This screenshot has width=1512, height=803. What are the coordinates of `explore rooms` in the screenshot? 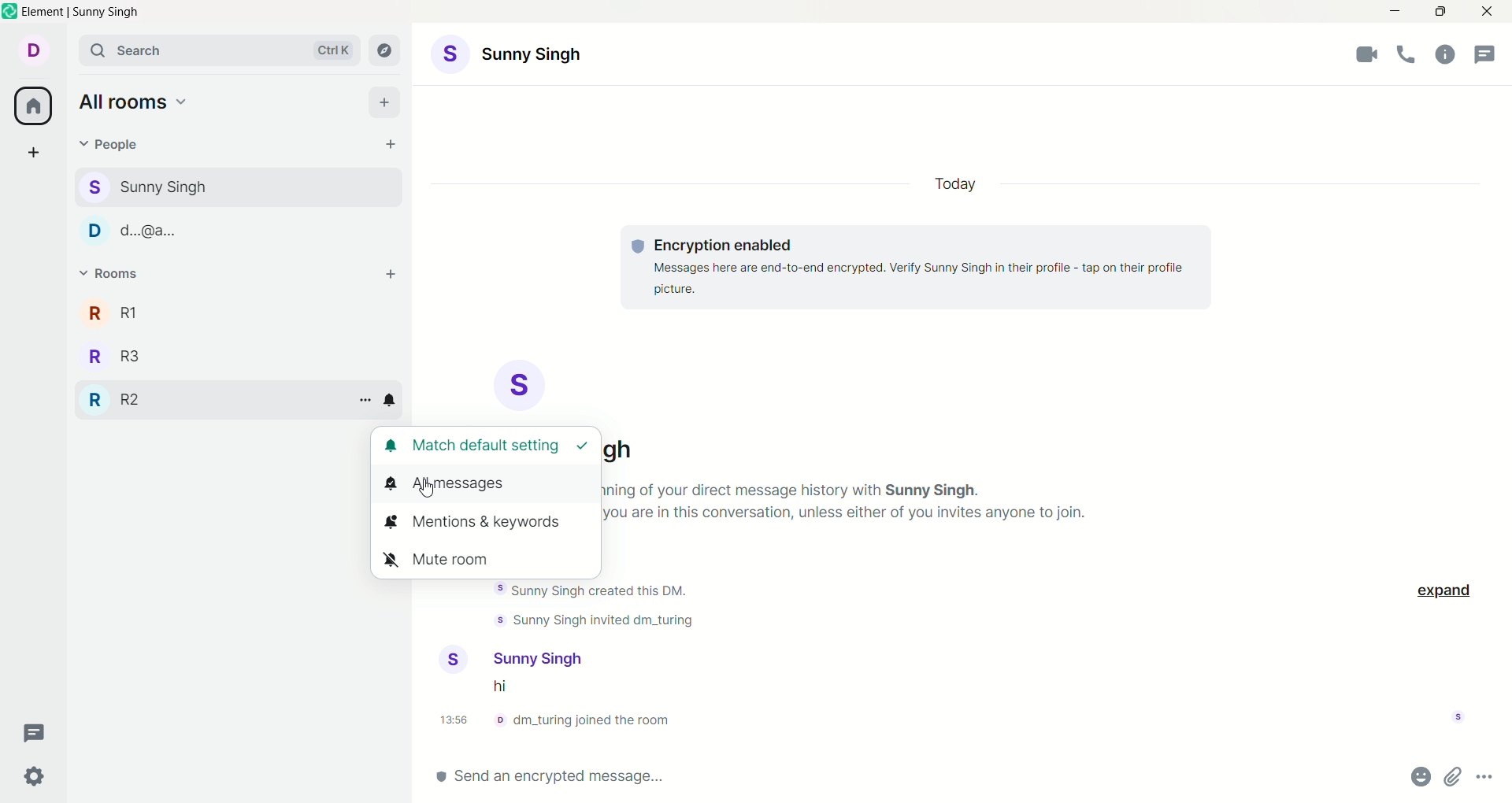 It's located at (388, 50).